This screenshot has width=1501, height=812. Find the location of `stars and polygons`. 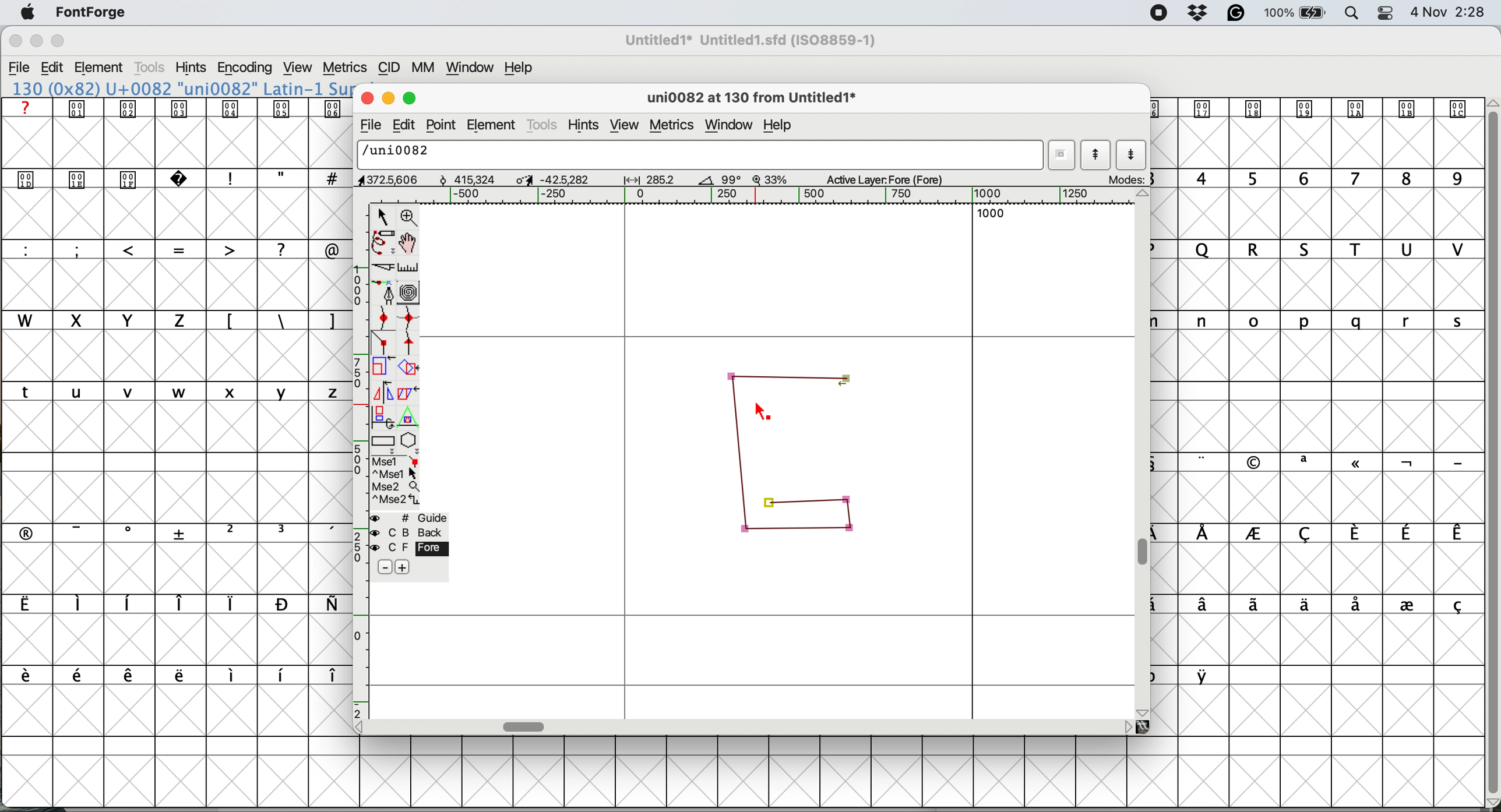

stars and polygons is located at coordinates (410, 443).